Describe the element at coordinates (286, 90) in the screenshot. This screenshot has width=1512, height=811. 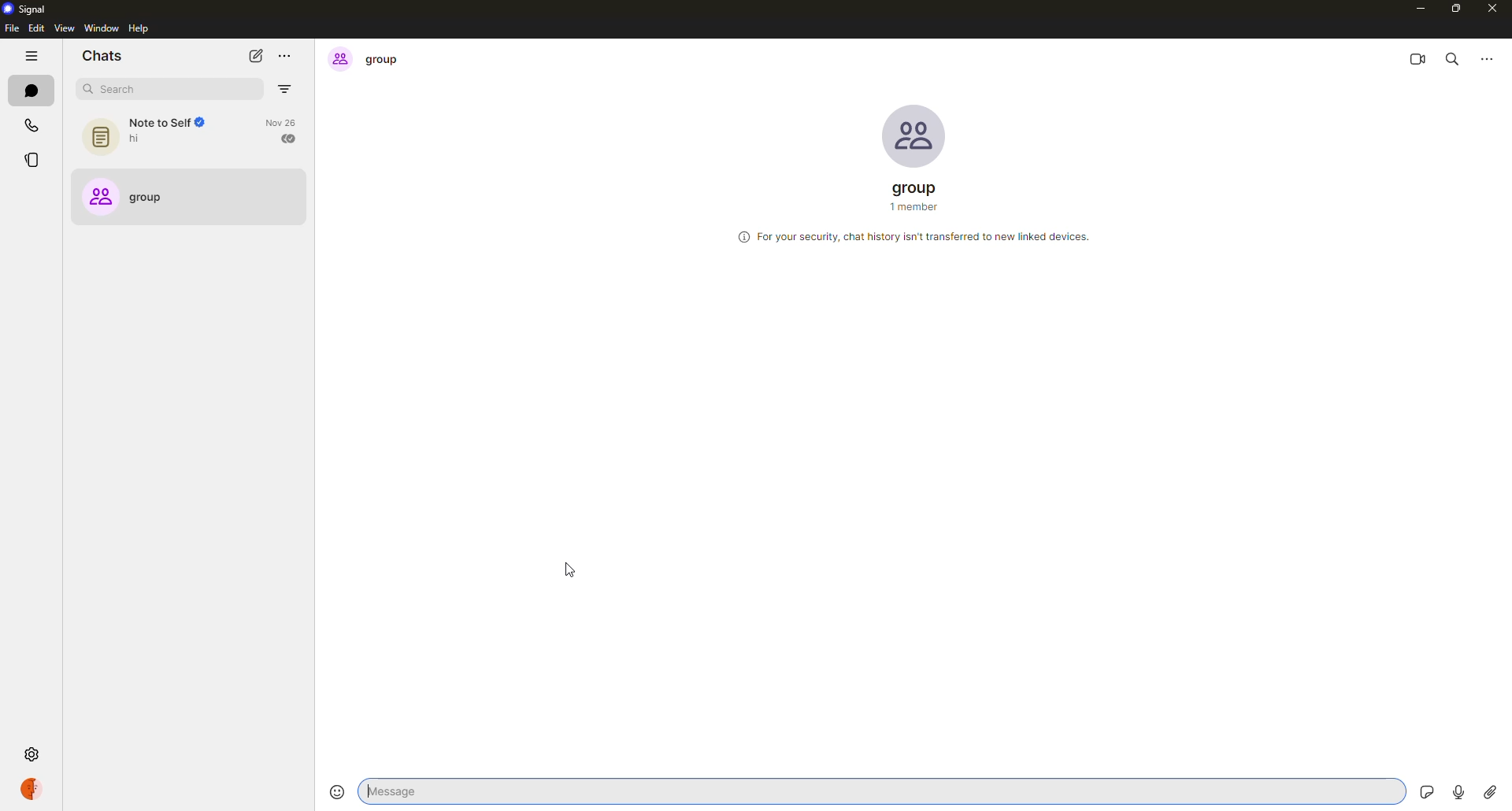
I see `filter` at that location.